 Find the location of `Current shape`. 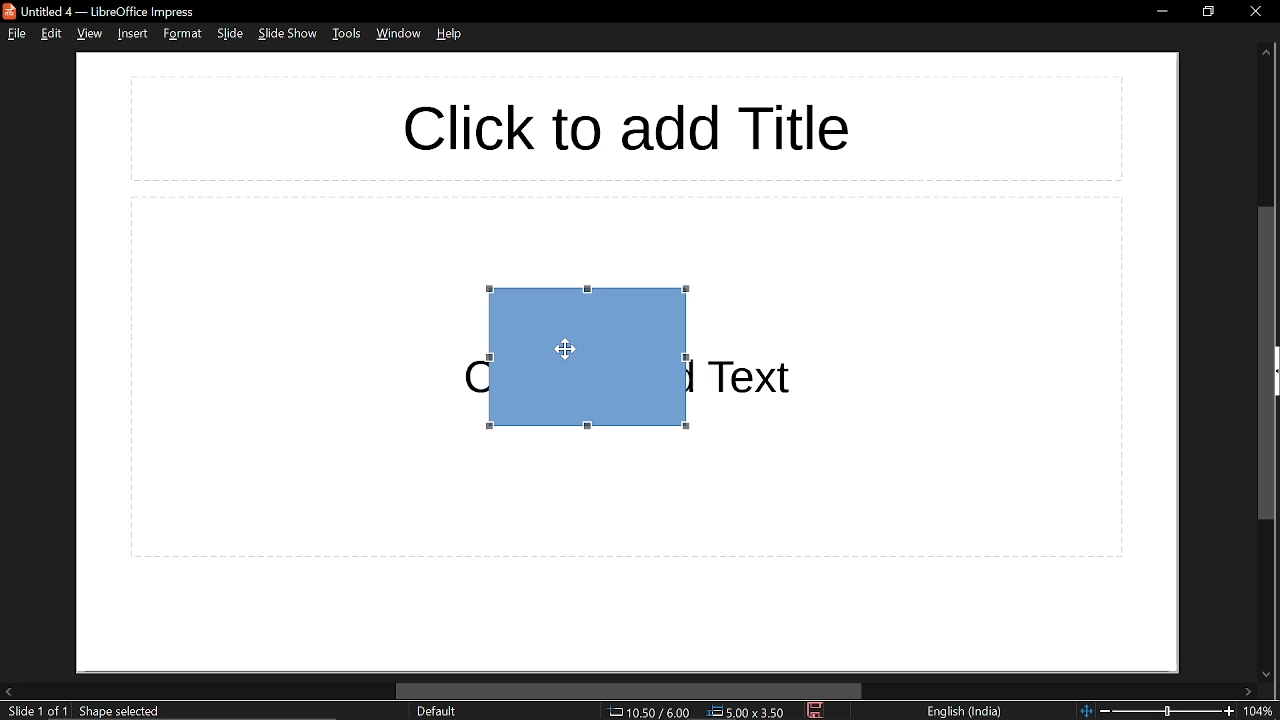

Current shape is located at coordinates (569, 374).